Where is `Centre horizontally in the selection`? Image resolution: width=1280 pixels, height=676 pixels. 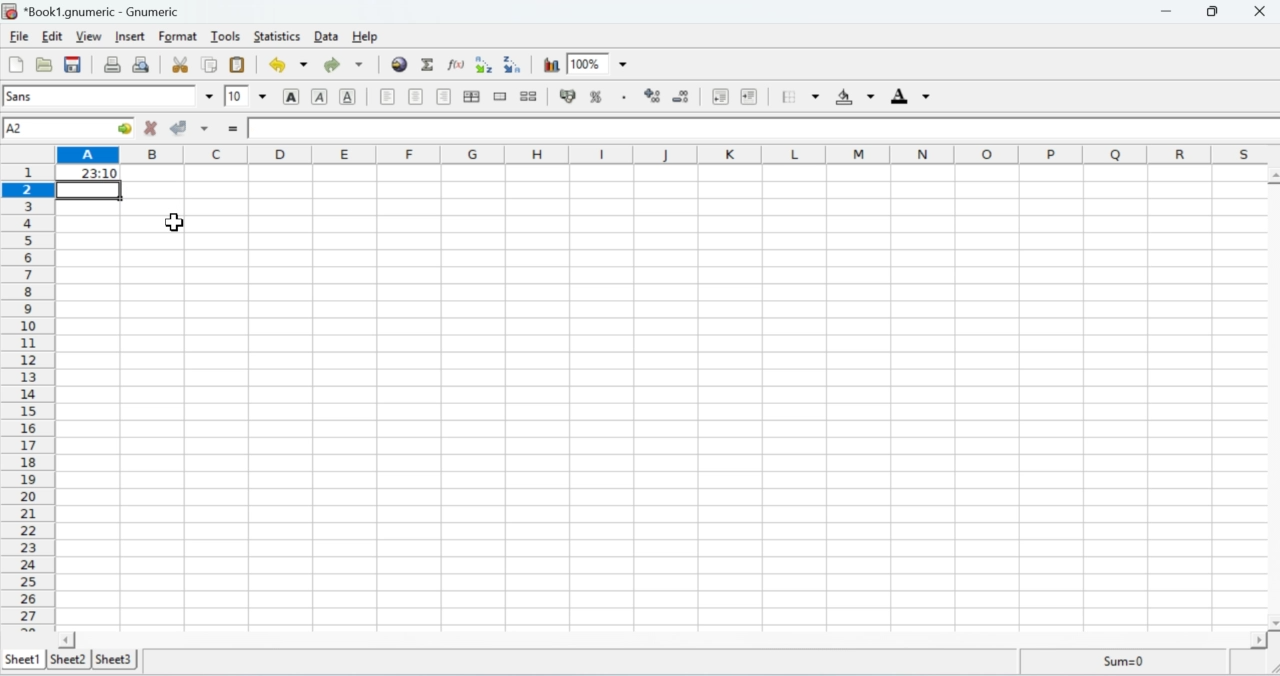
Centre horizontally in the selection is located at coordinates (474, 98).